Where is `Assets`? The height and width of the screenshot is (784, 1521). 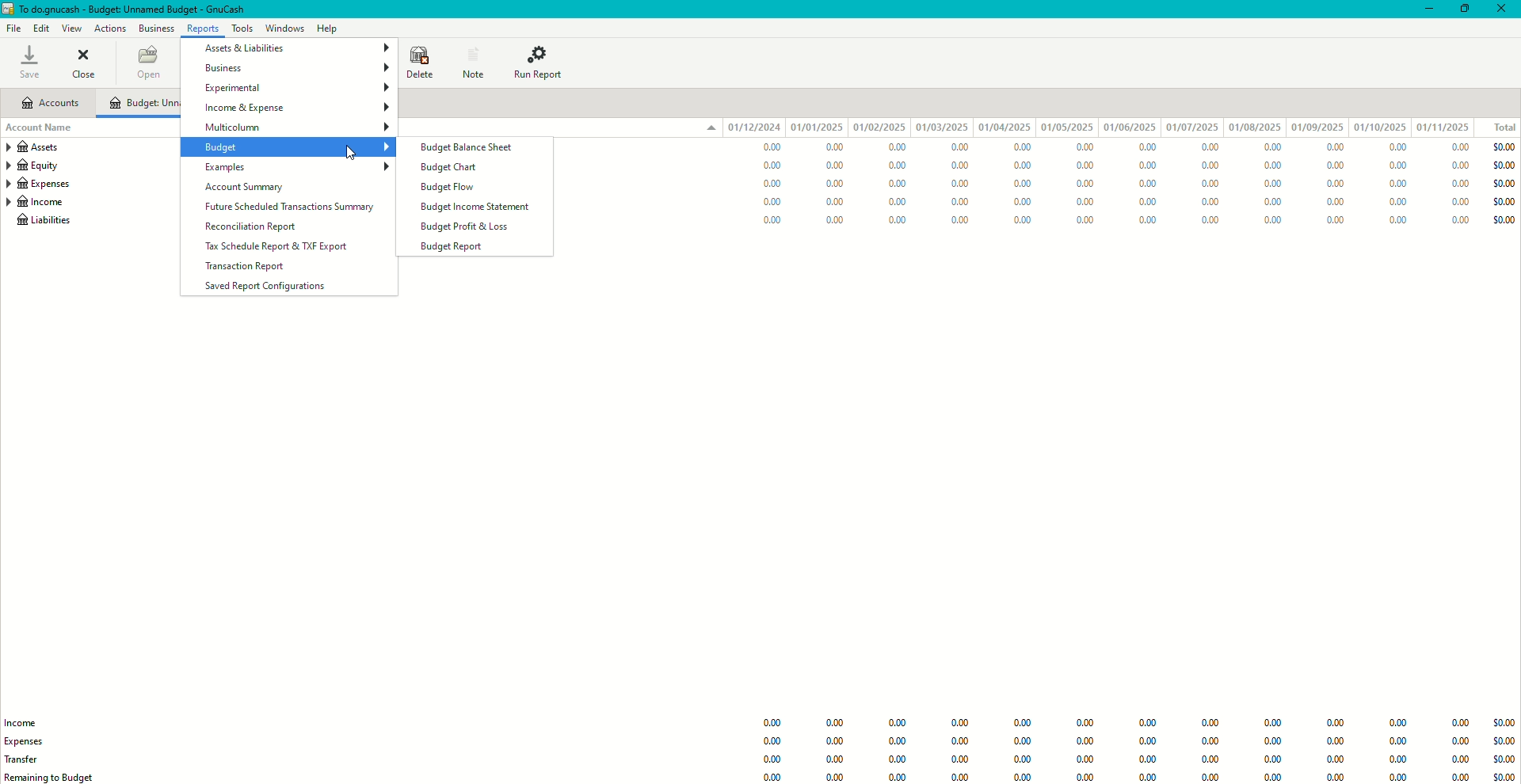
Assets is located at coordinates (37, 149).